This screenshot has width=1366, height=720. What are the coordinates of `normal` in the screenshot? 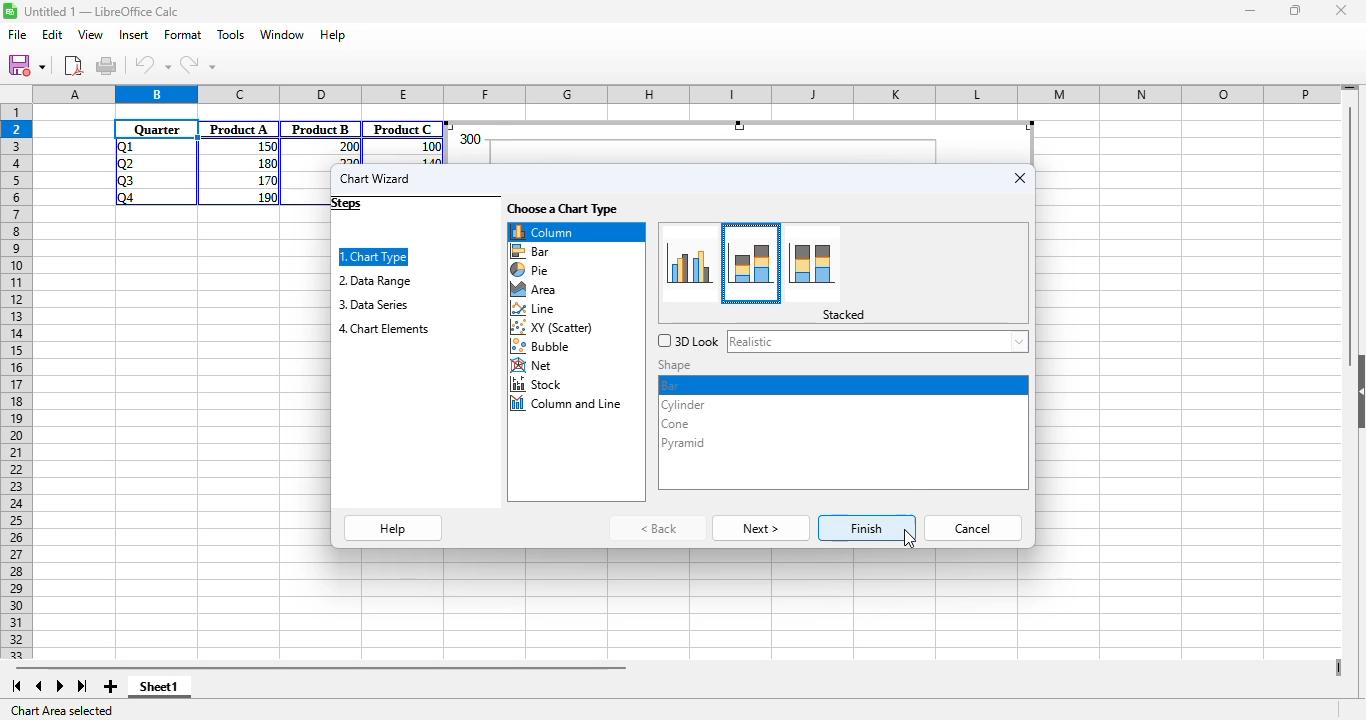 It's located at (692, 262).